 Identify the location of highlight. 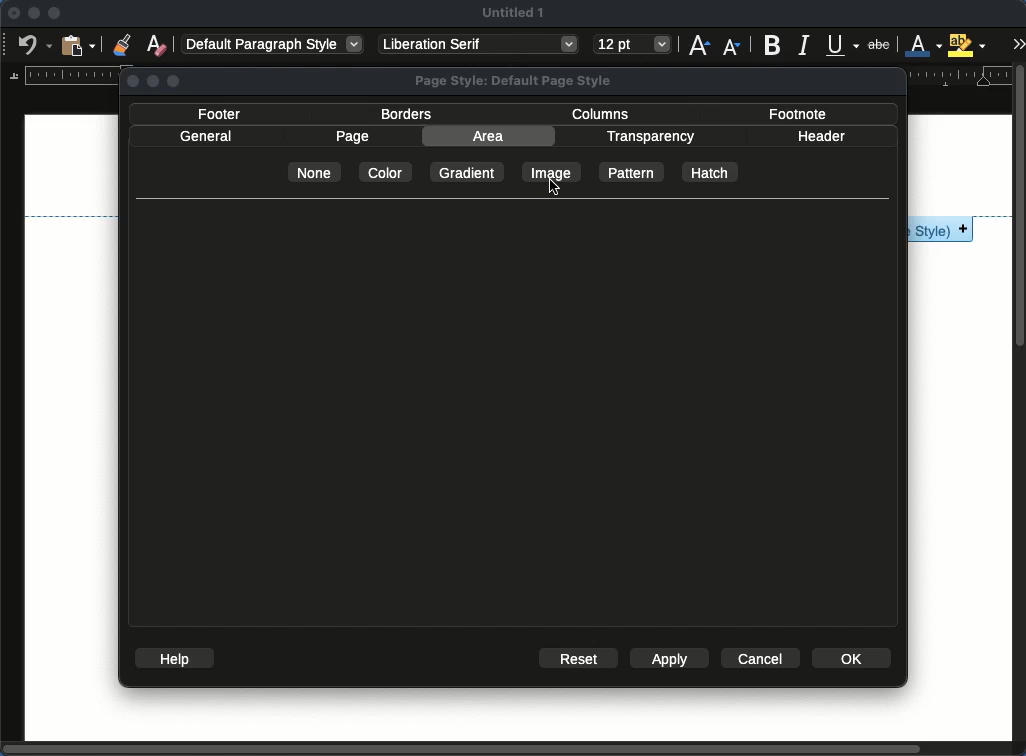
(966, 45).